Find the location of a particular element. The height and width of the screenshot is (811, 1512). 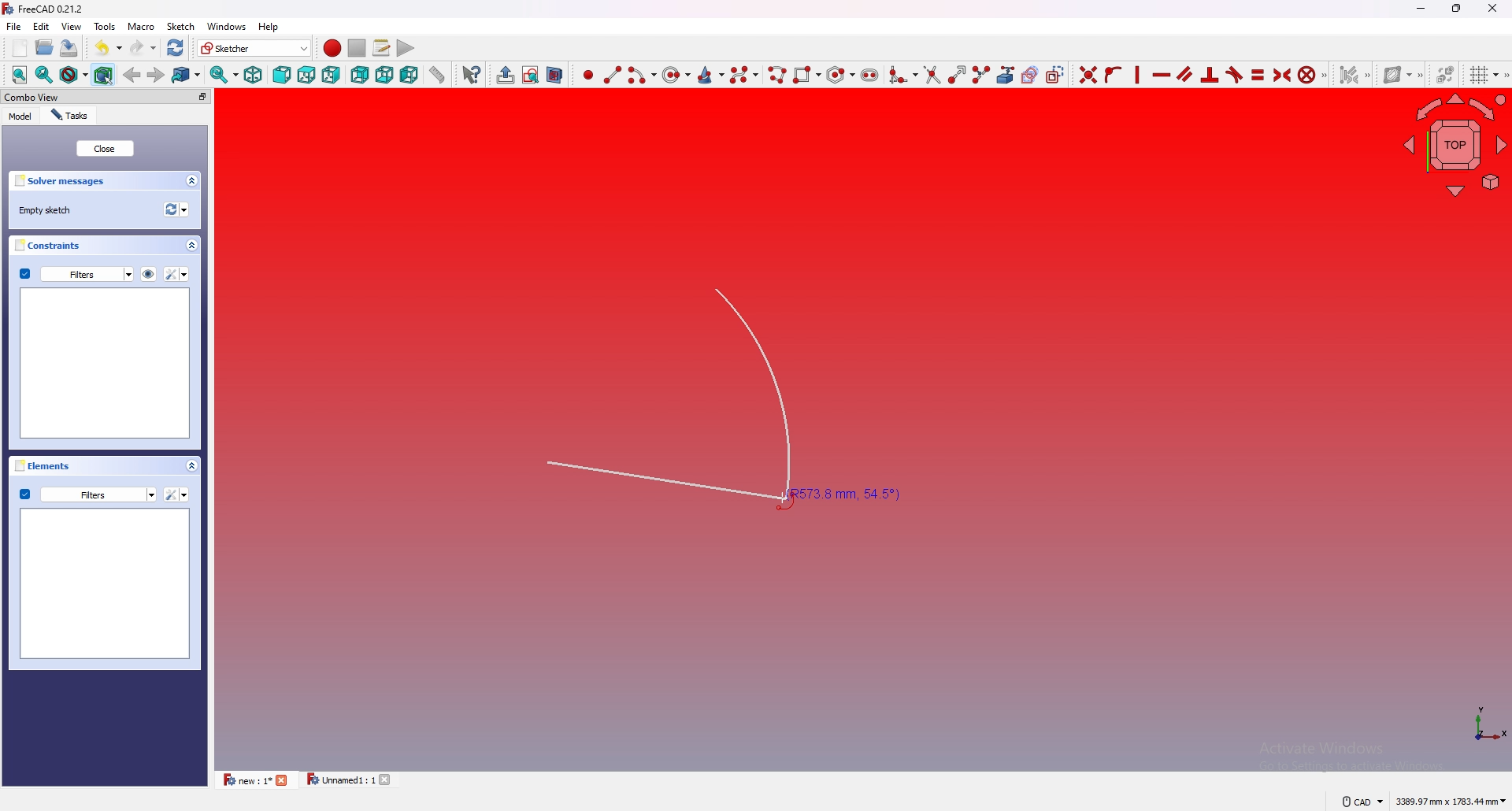

solver messages is located at coordinates (66, 181).